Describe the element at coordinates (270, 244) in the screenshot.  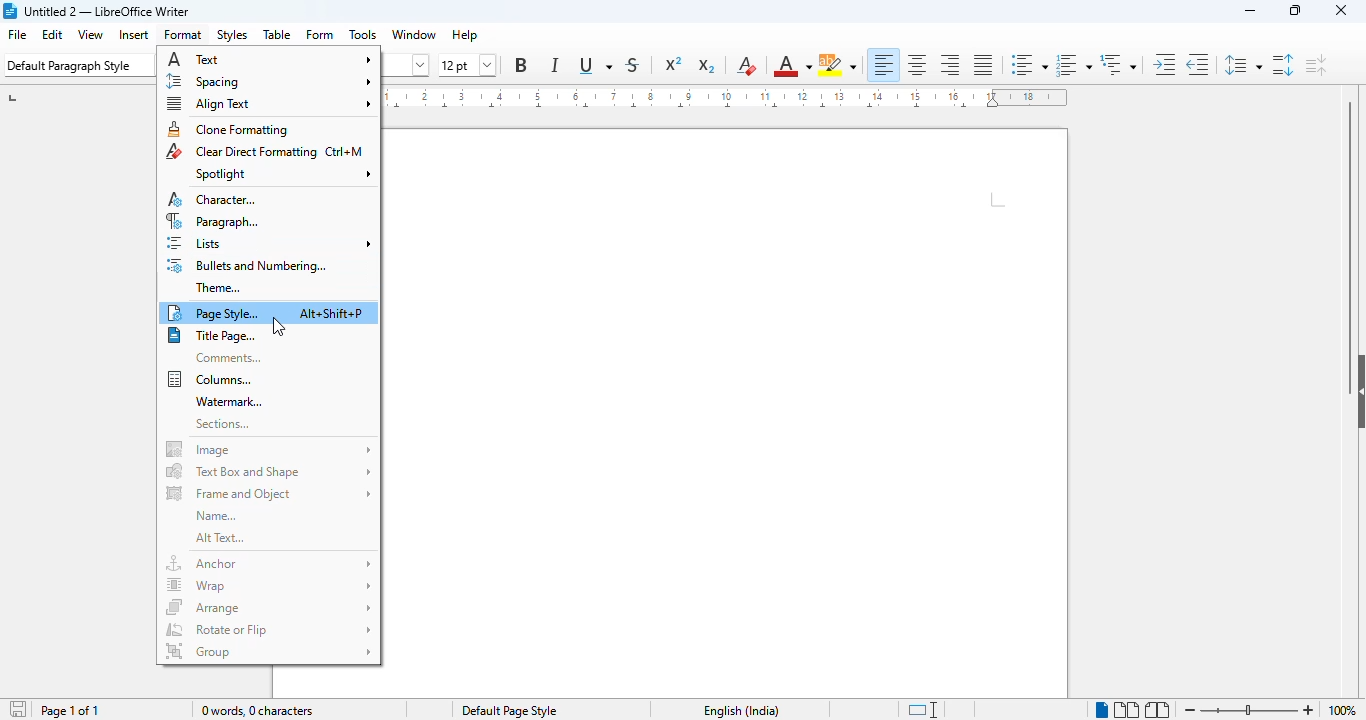
I see `lists` at that location.